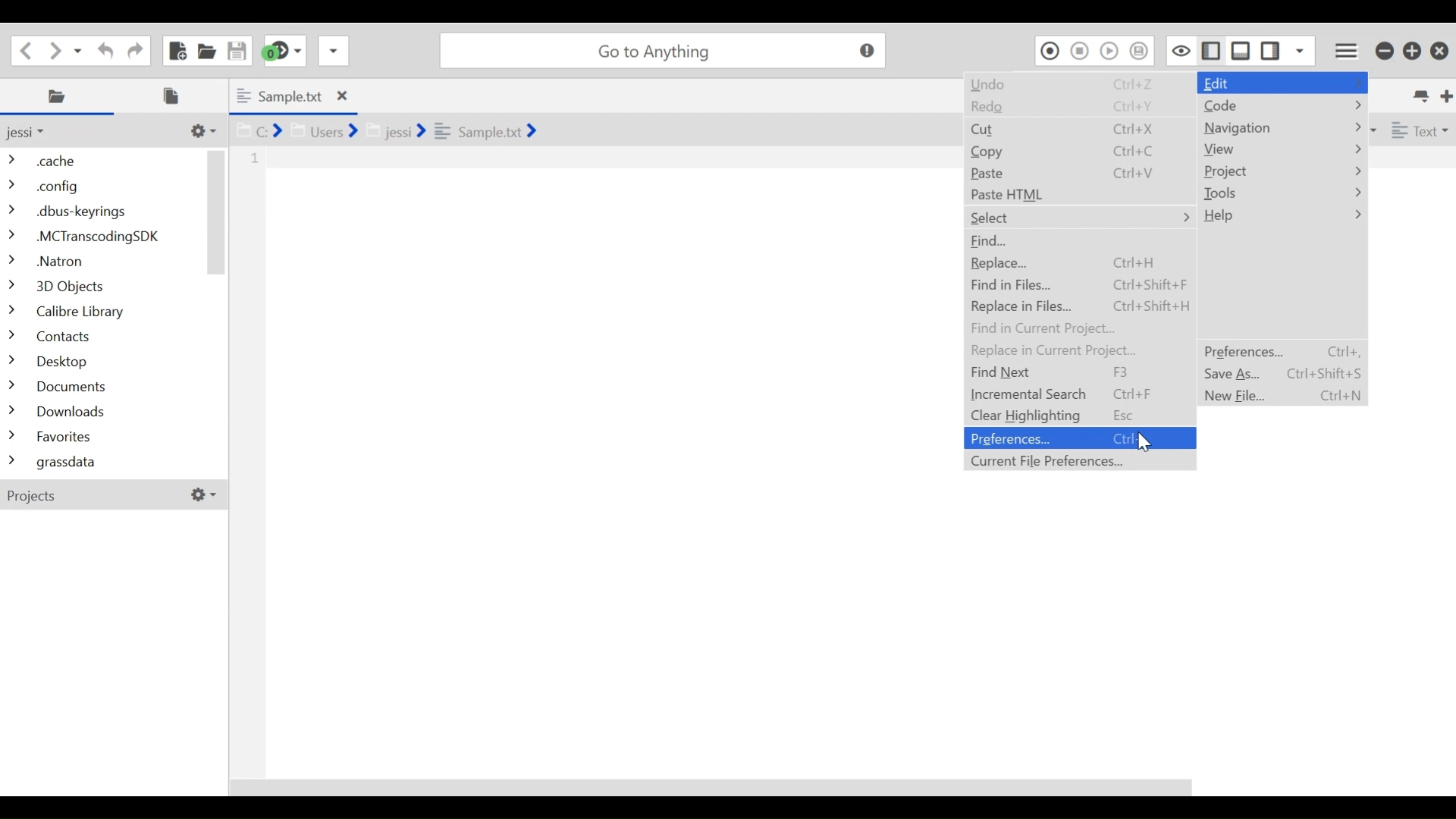 The image size is (1456, 819). What do you see at coordinates (1419, 94) in the screenshot?
I see `List all tabs` at bounding box center [1419, 94].